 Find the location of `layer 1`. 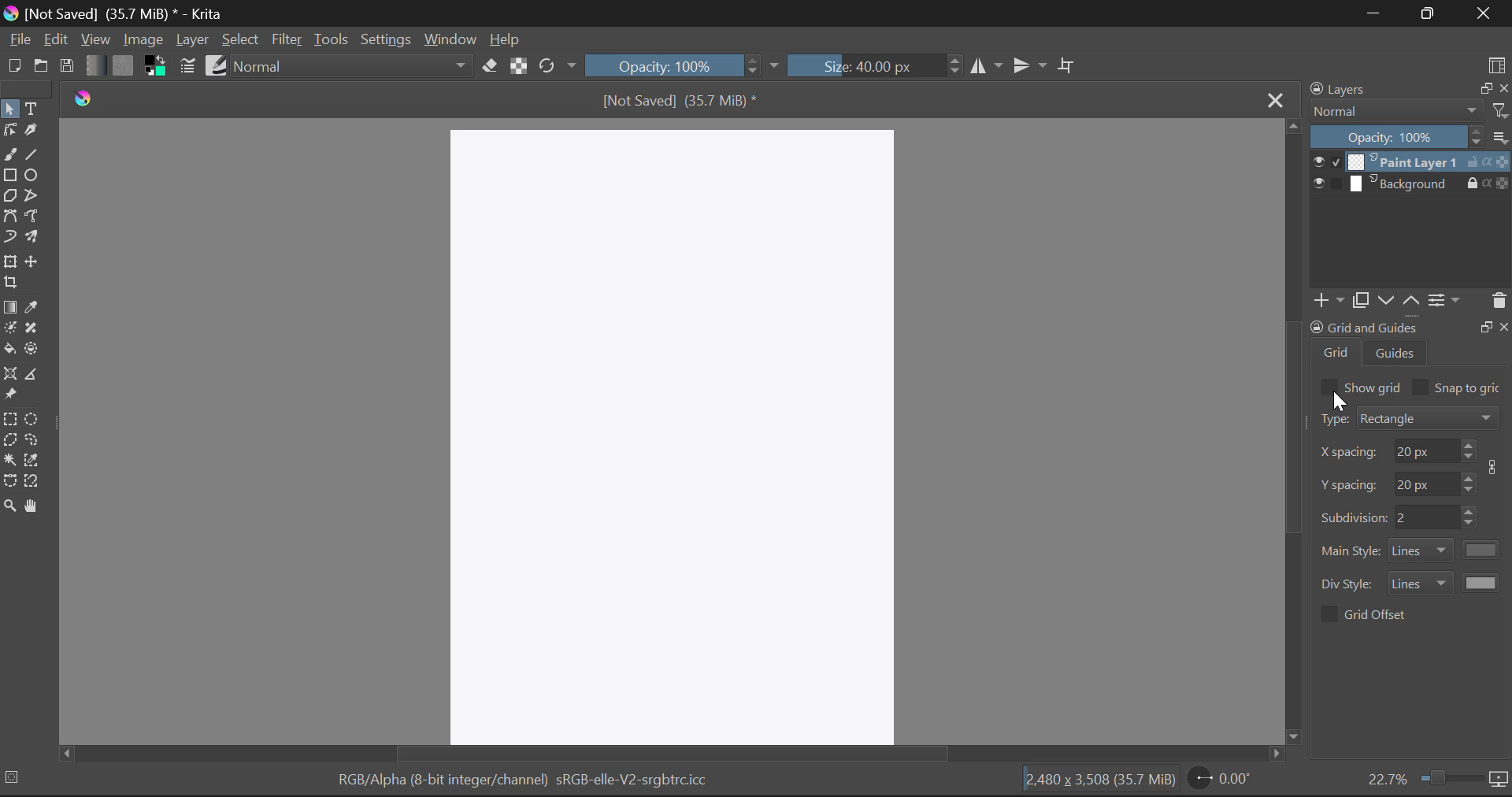

layer 1 is located at coordinates (1403, 161).